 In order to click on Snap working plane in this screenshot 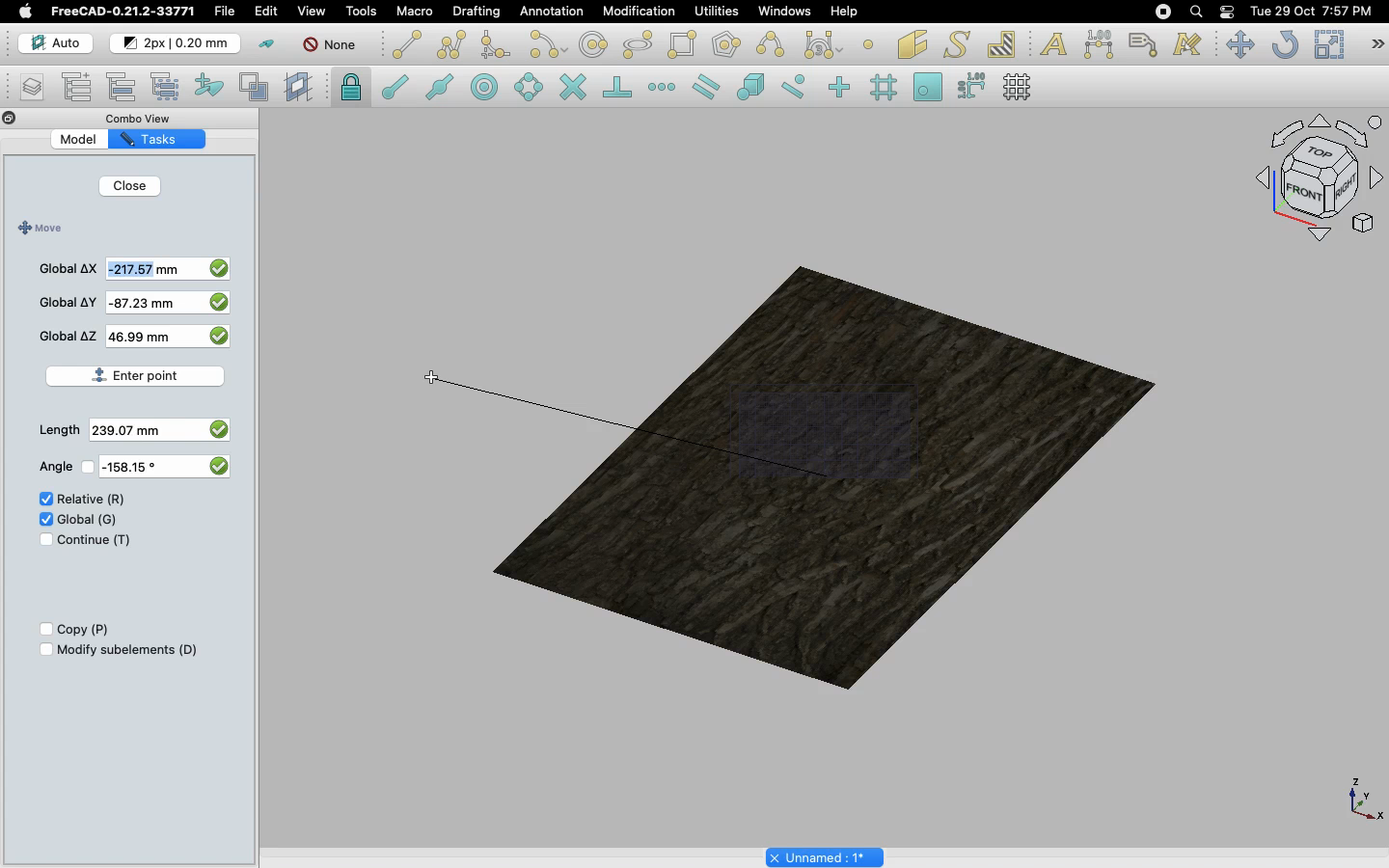, I will do `click(928, 89)`.